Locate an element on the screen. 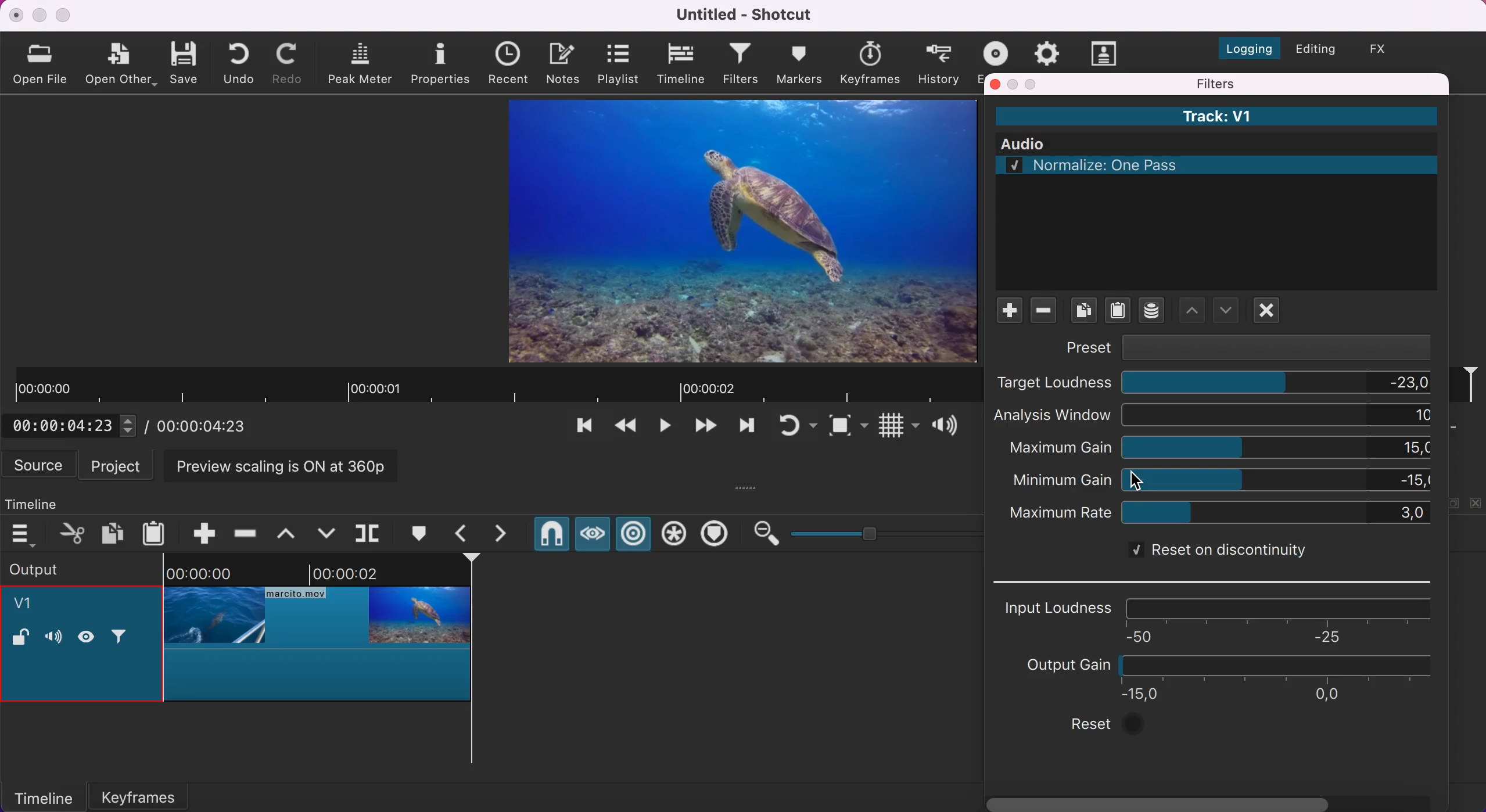  paste filters is located at coordinates (1117, 314).